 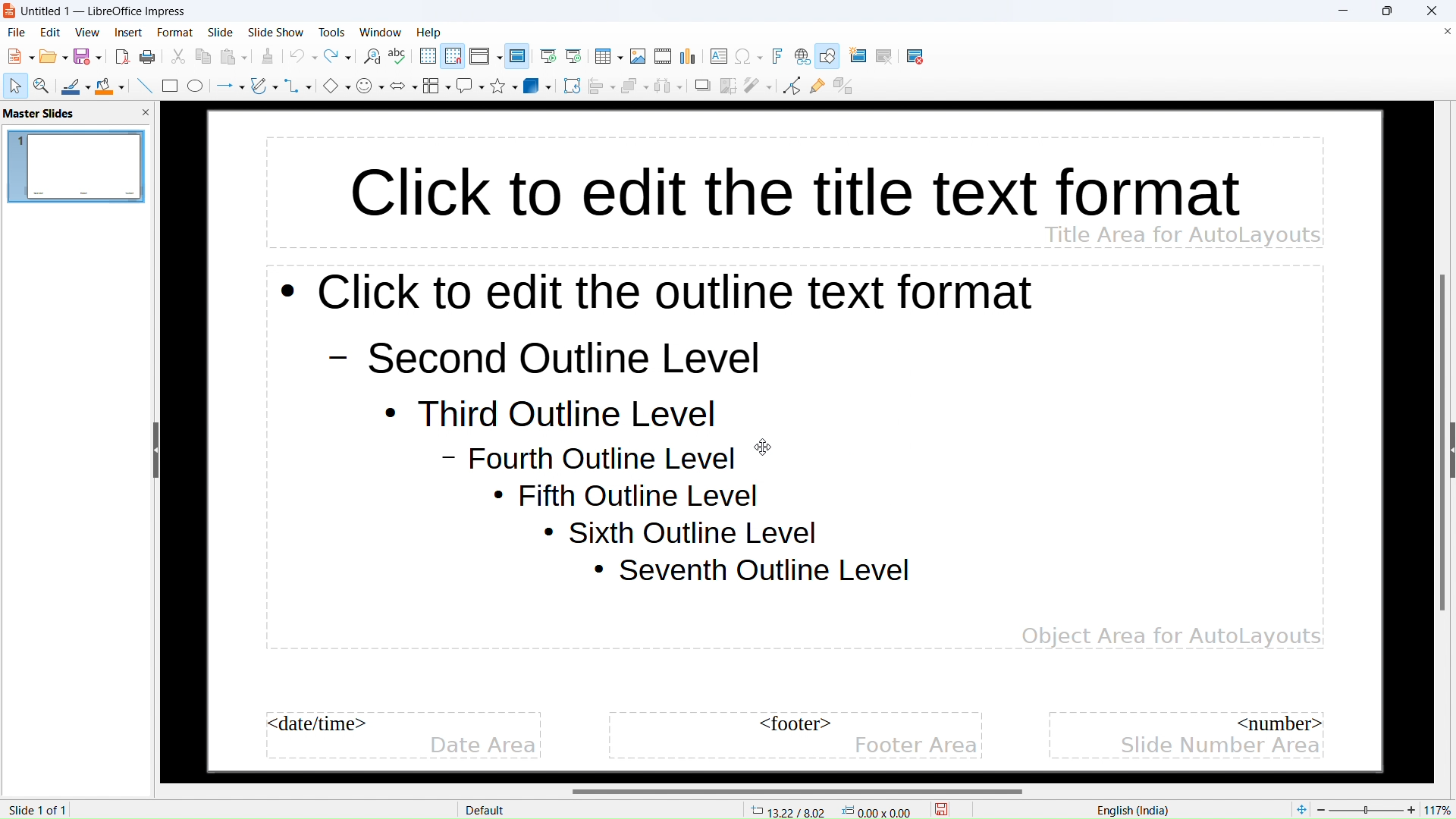 What do you see at coordinates (518, 56) in the screenshot?
I see `master slide` at bounding box center [518, 56].